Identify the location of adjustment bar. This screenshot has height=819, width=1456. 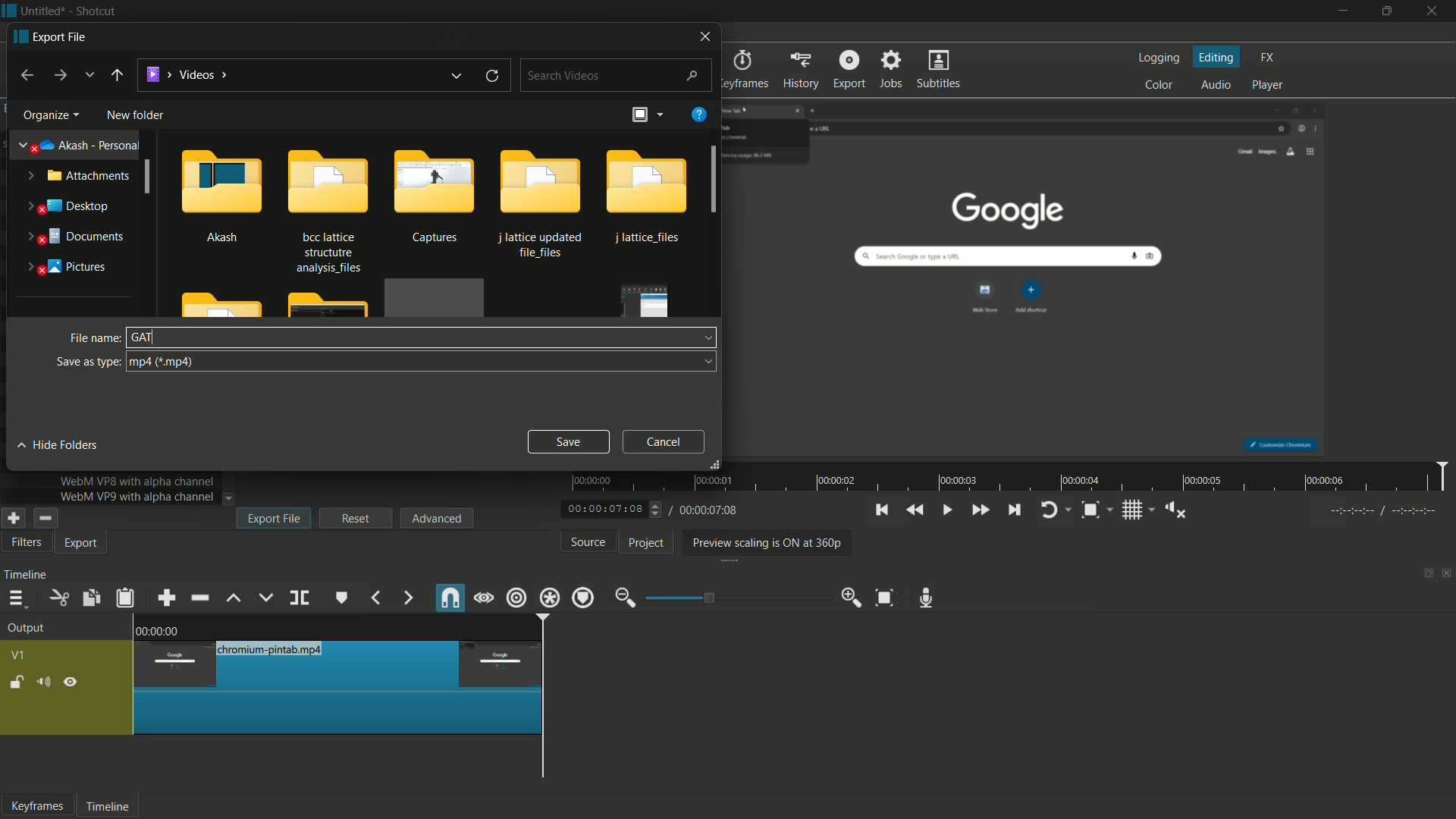
(739, 598).